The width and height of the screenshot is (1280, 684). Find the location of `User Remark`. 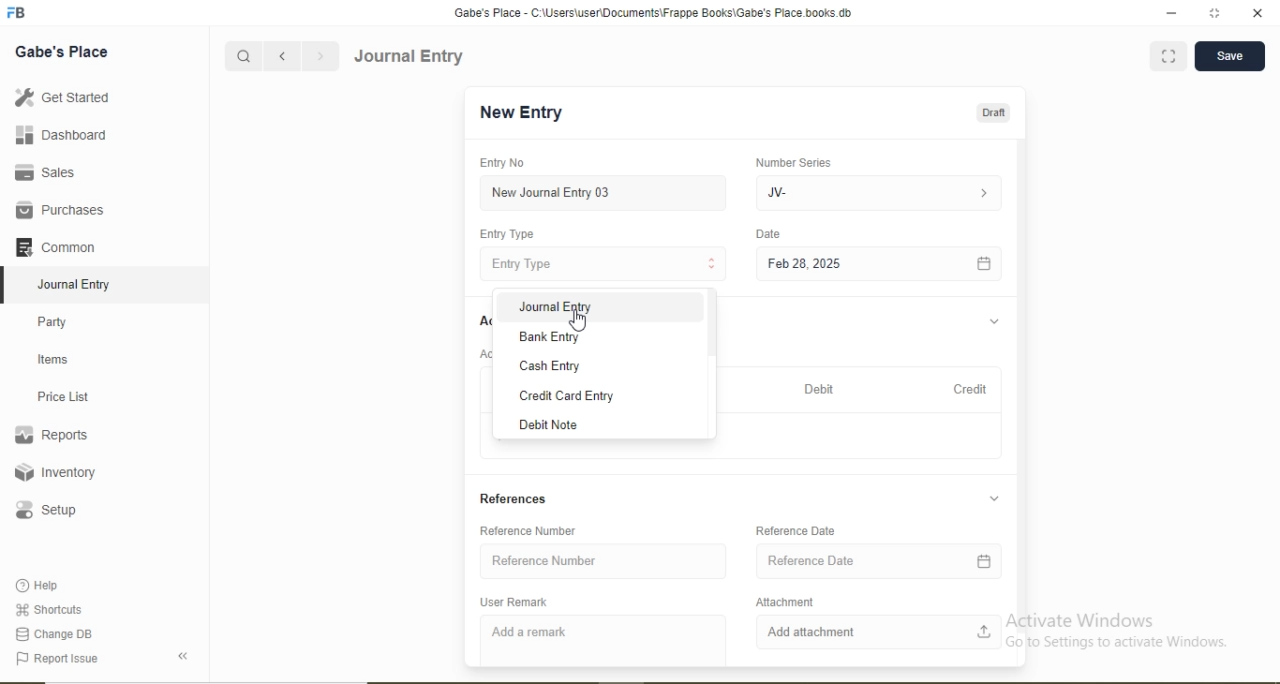

User Remark is located at coordinates (513, 602).